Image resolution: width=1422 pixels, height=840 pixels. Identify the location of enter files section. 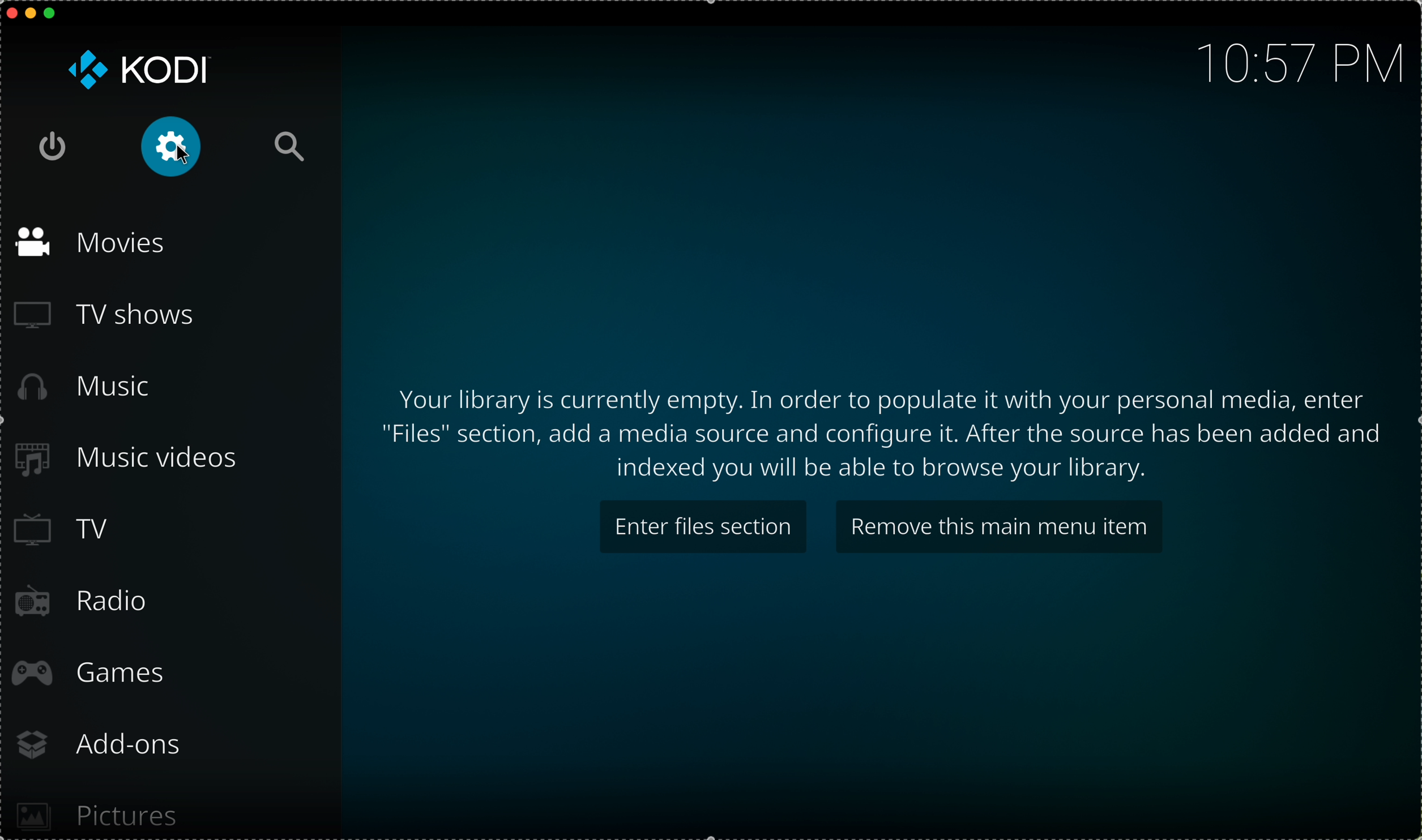
(704, 526).